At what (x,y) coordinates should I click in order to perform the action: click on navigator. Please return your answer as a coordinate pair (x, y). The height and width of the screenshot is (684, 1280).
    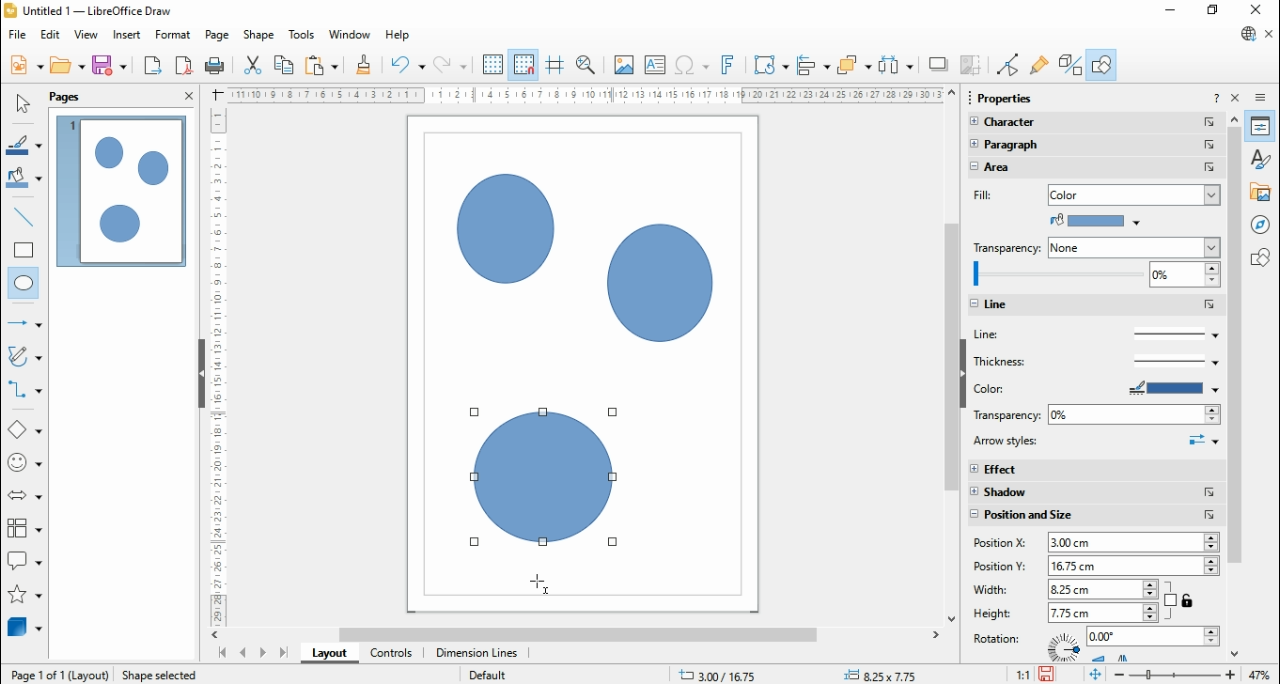
    Looking at the image, I should click on (1264, 224).